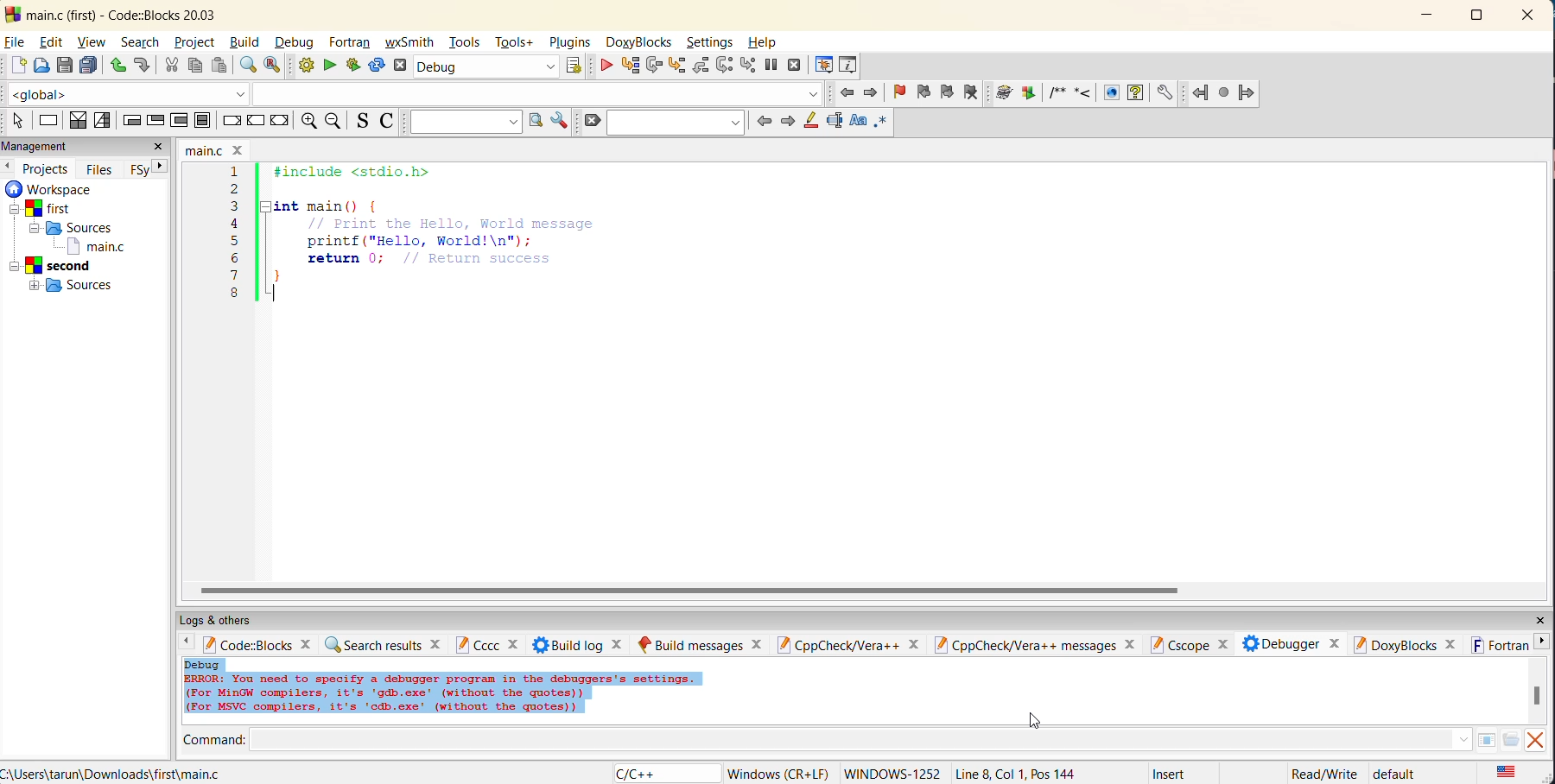 The width and height of the screenshot is (1555, 784). What do you see at coordinates (15, 66) in the screenshot?
I see `new` at bounding box center [15, 66].